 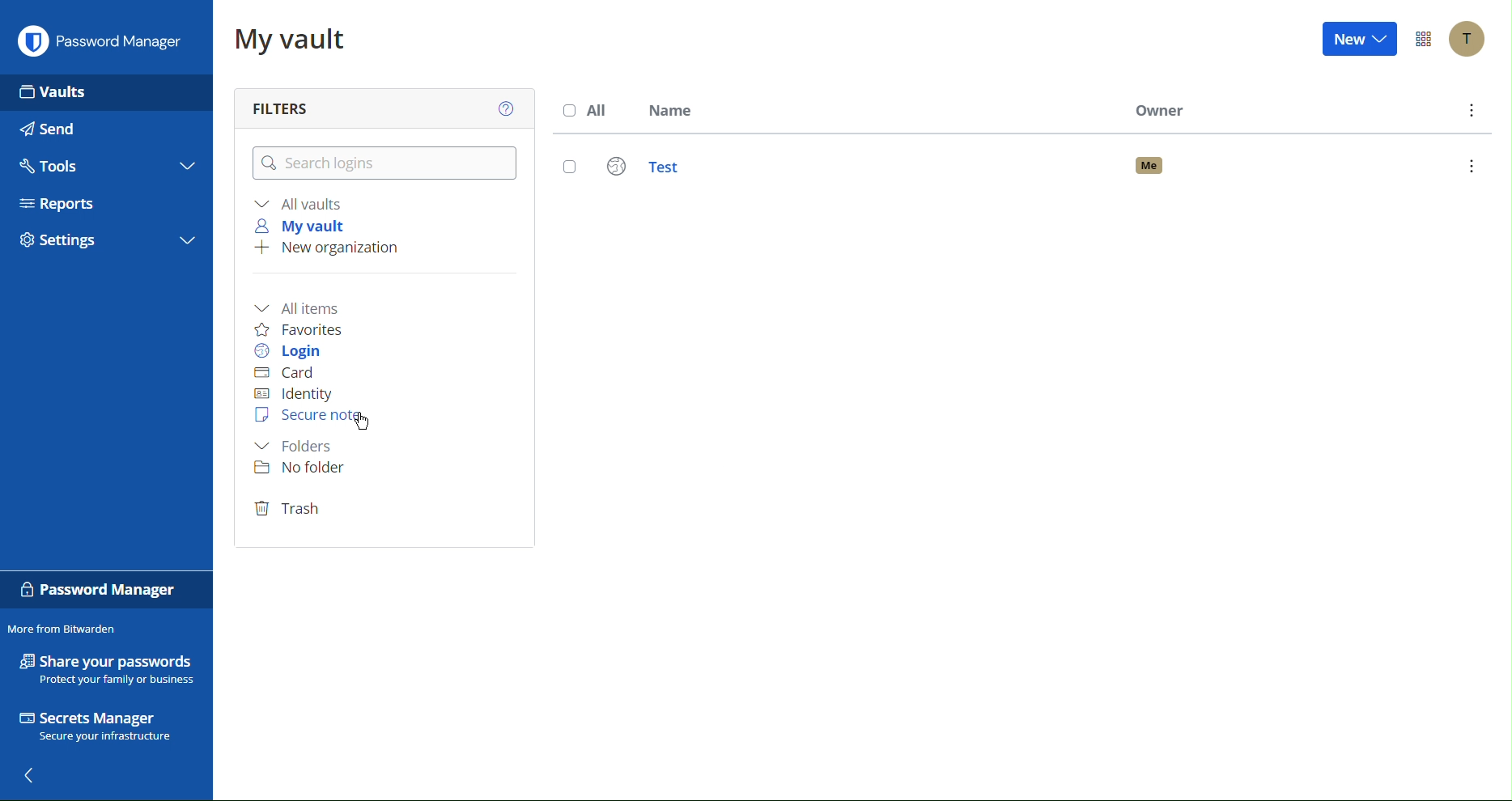 I want to click on All items, so click(x=304, y=306).